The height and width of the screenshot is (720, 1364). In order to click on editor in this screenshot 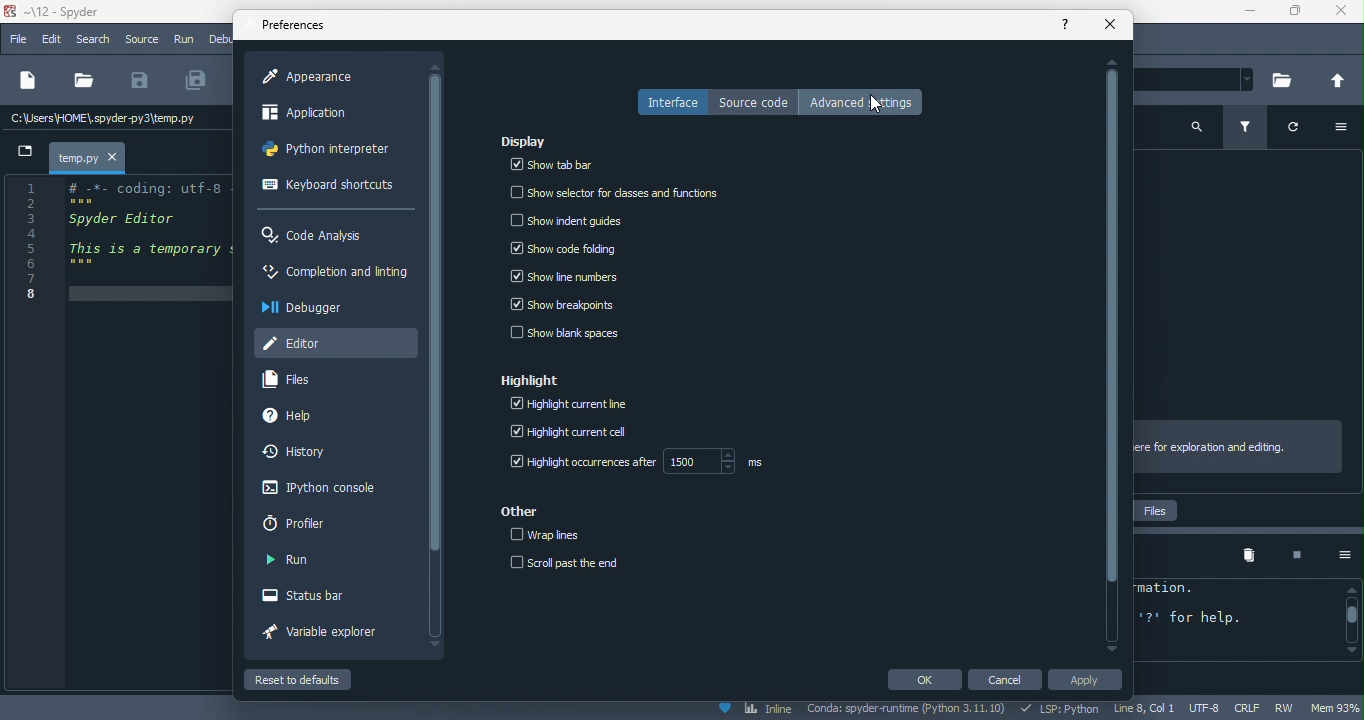, I will do `click(335, 341)`.